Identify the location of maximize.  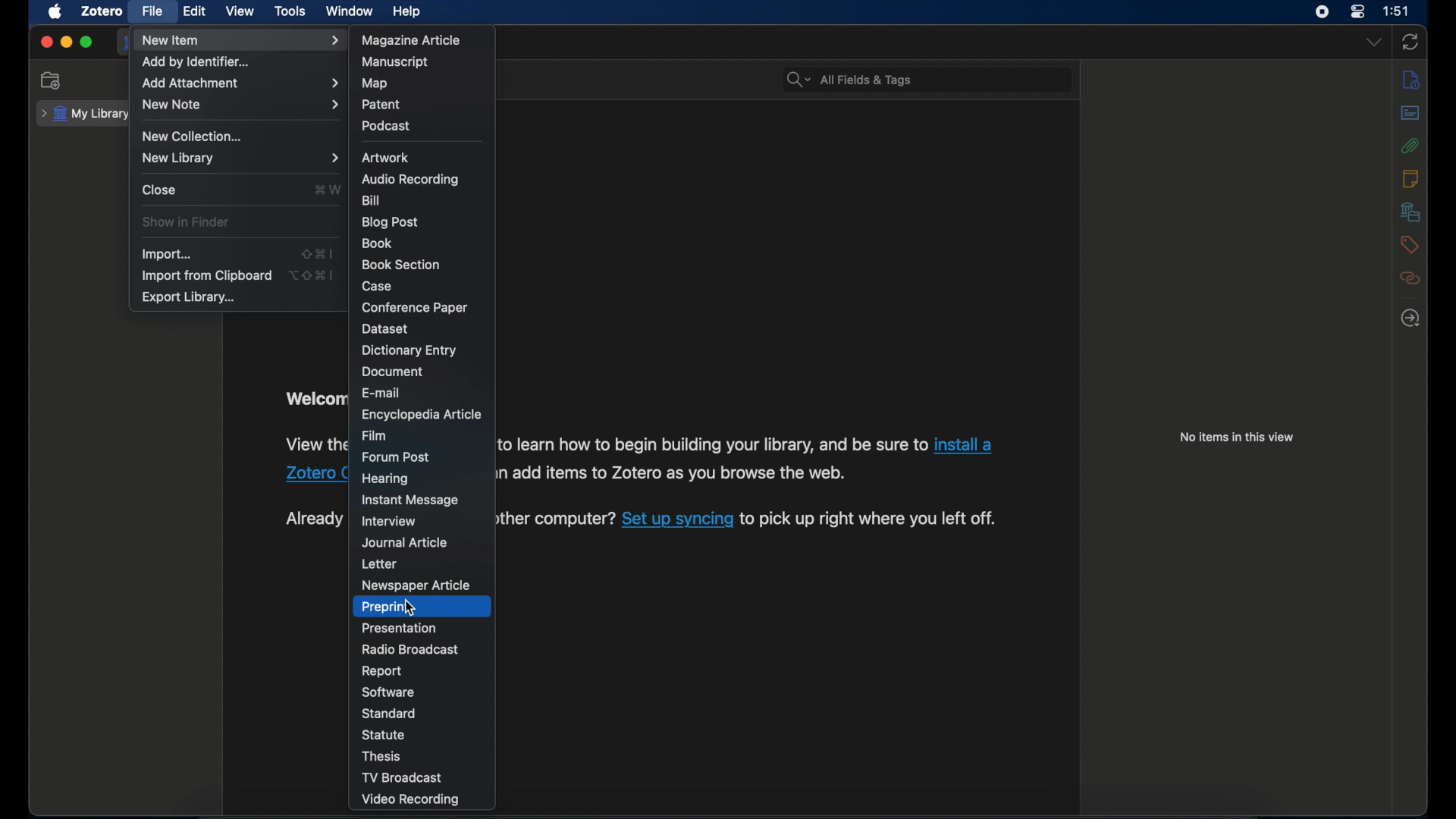
(86, 43).